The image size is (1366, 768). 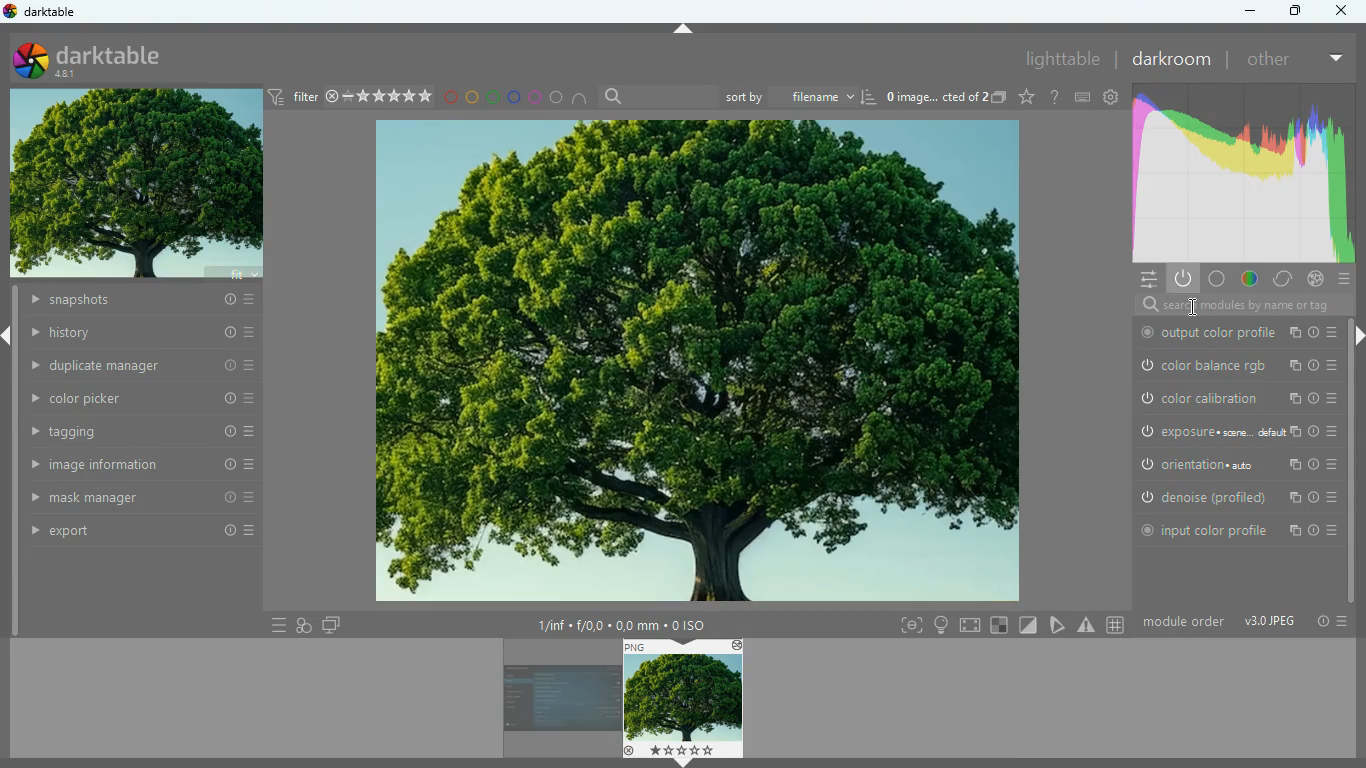 What do you see at coordinates (1337, 59) in the screenshot?
I see `more` at bounding box center [1337, 59].